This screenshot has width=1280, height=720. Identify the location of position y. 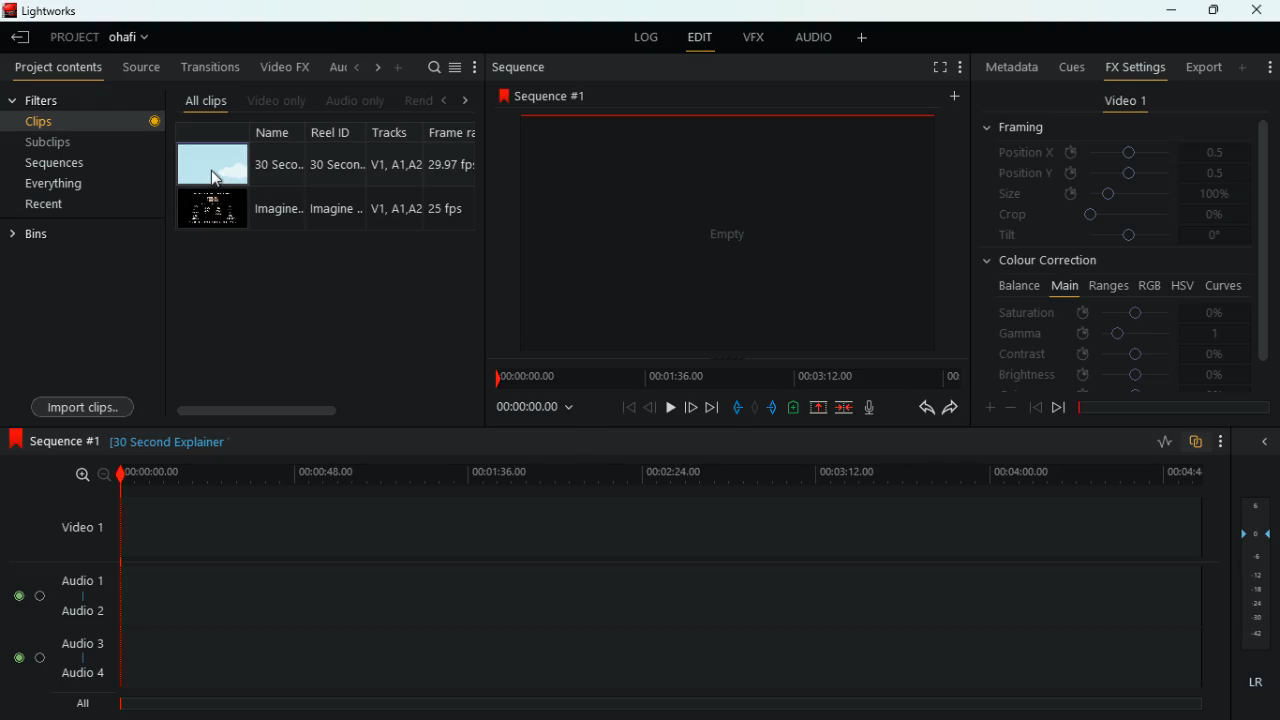
(1115, 173).